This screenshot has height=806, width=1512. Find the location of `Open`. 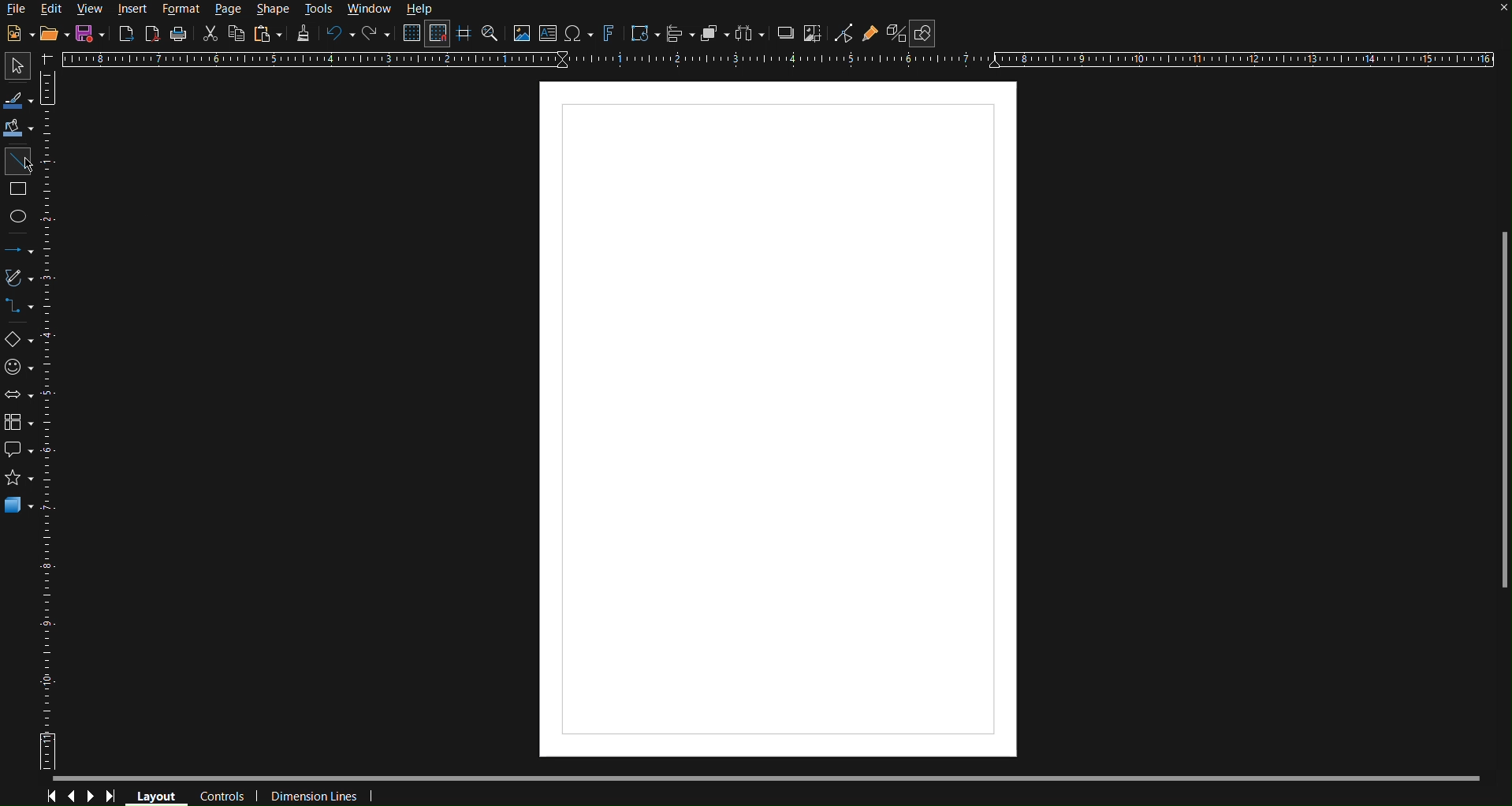

Open is located at coordinates (50, 34).